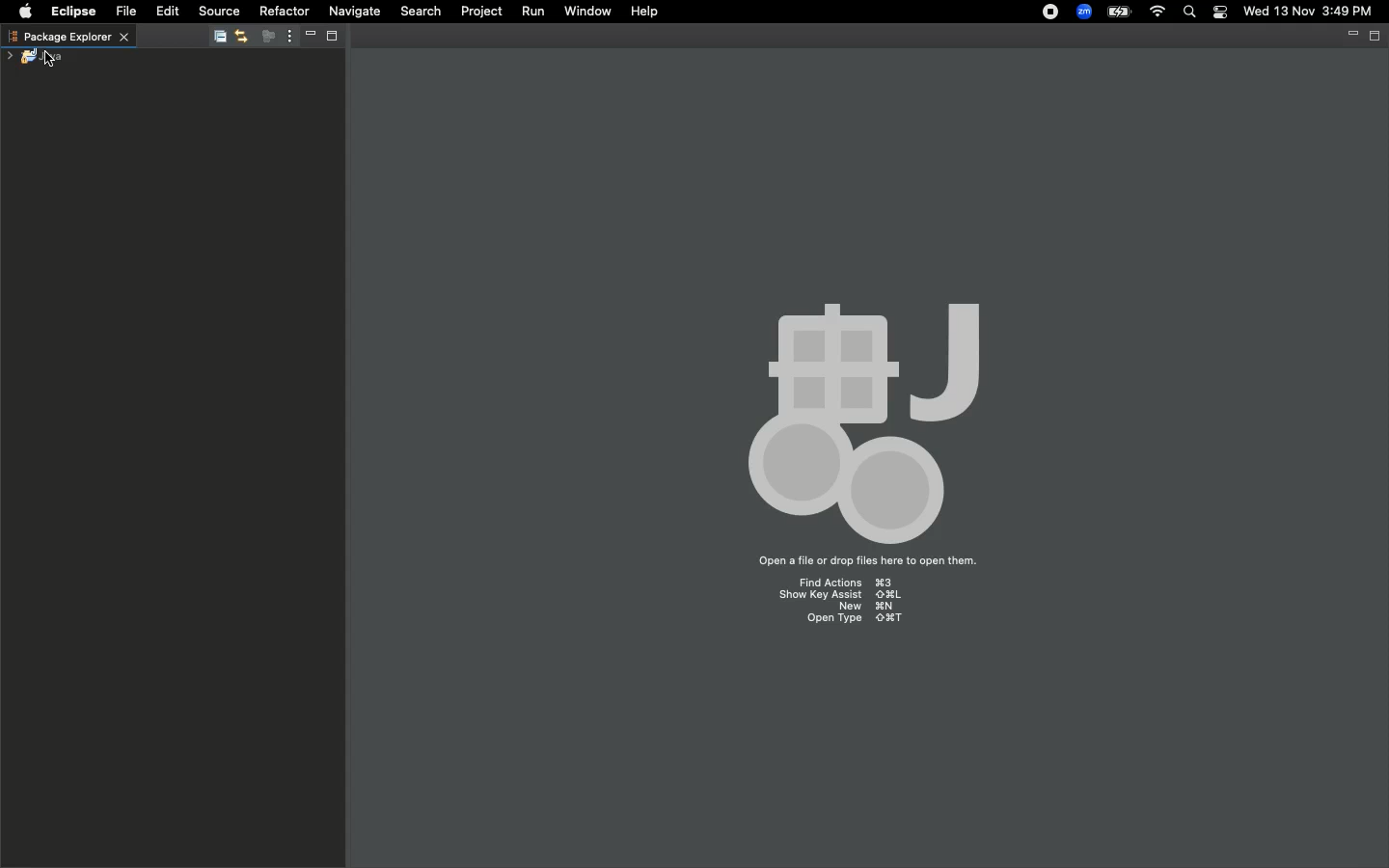 The image size is (1389, 868). Describe the element at coordinates (50, 61) in the screenshot. I see `pointer cursor` at that location.